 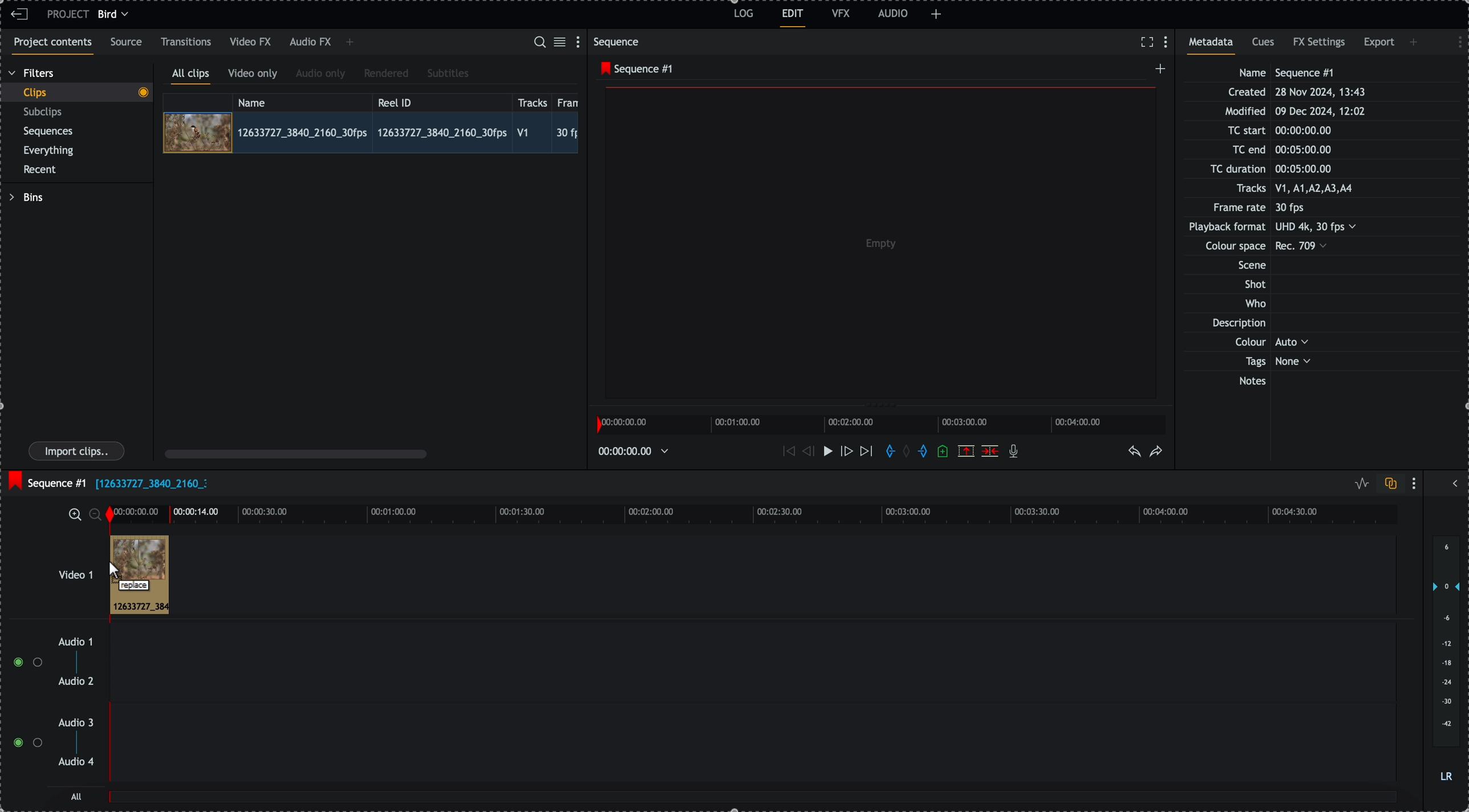 I want to click on log, so click(x=742, y=15).